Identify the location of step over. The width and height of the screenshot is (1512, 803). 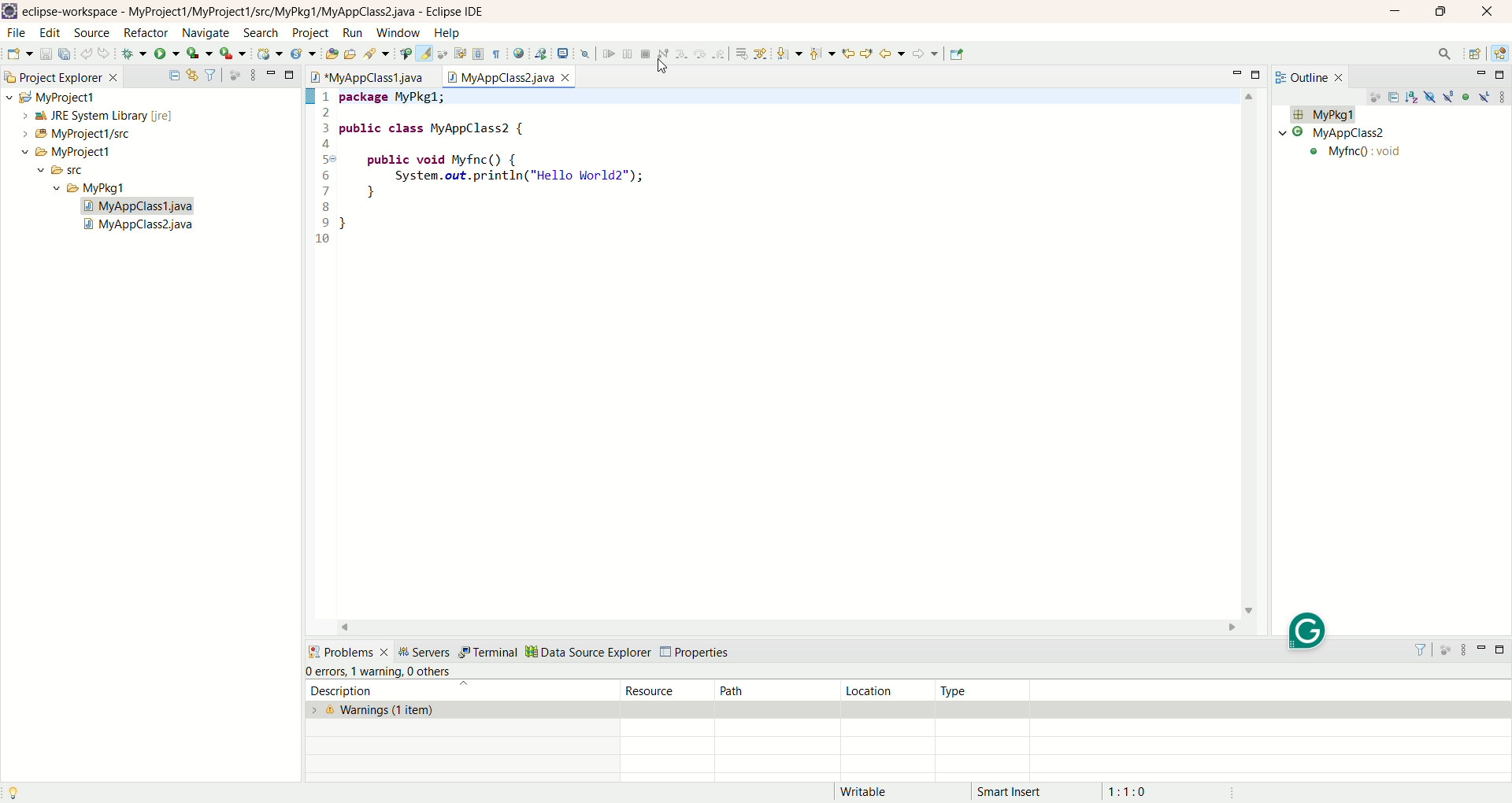
(701, 55).